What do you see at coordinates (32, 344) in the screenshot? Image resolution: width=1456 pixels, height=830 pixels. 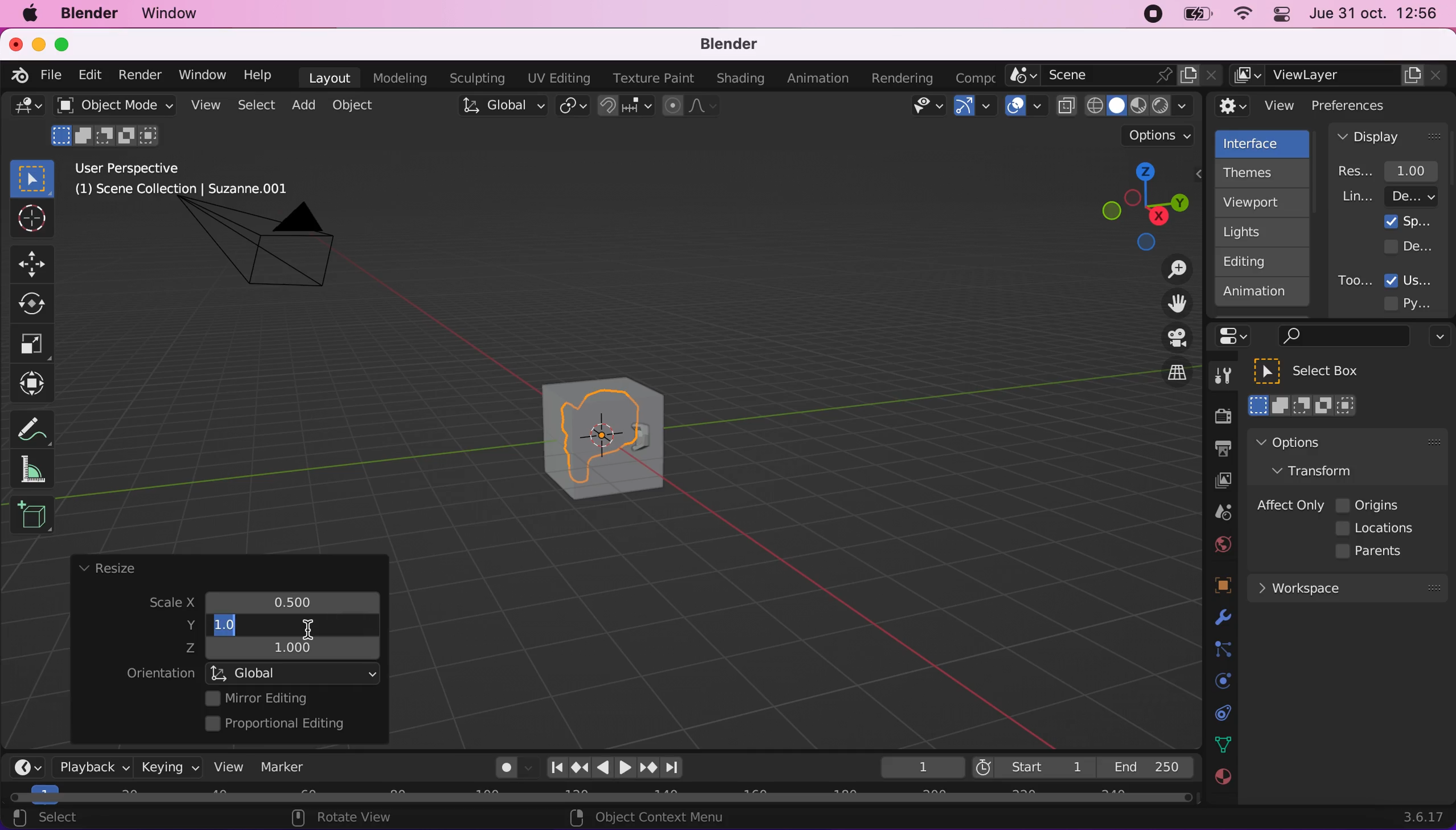 I see `` at bounding box center [32, 344].